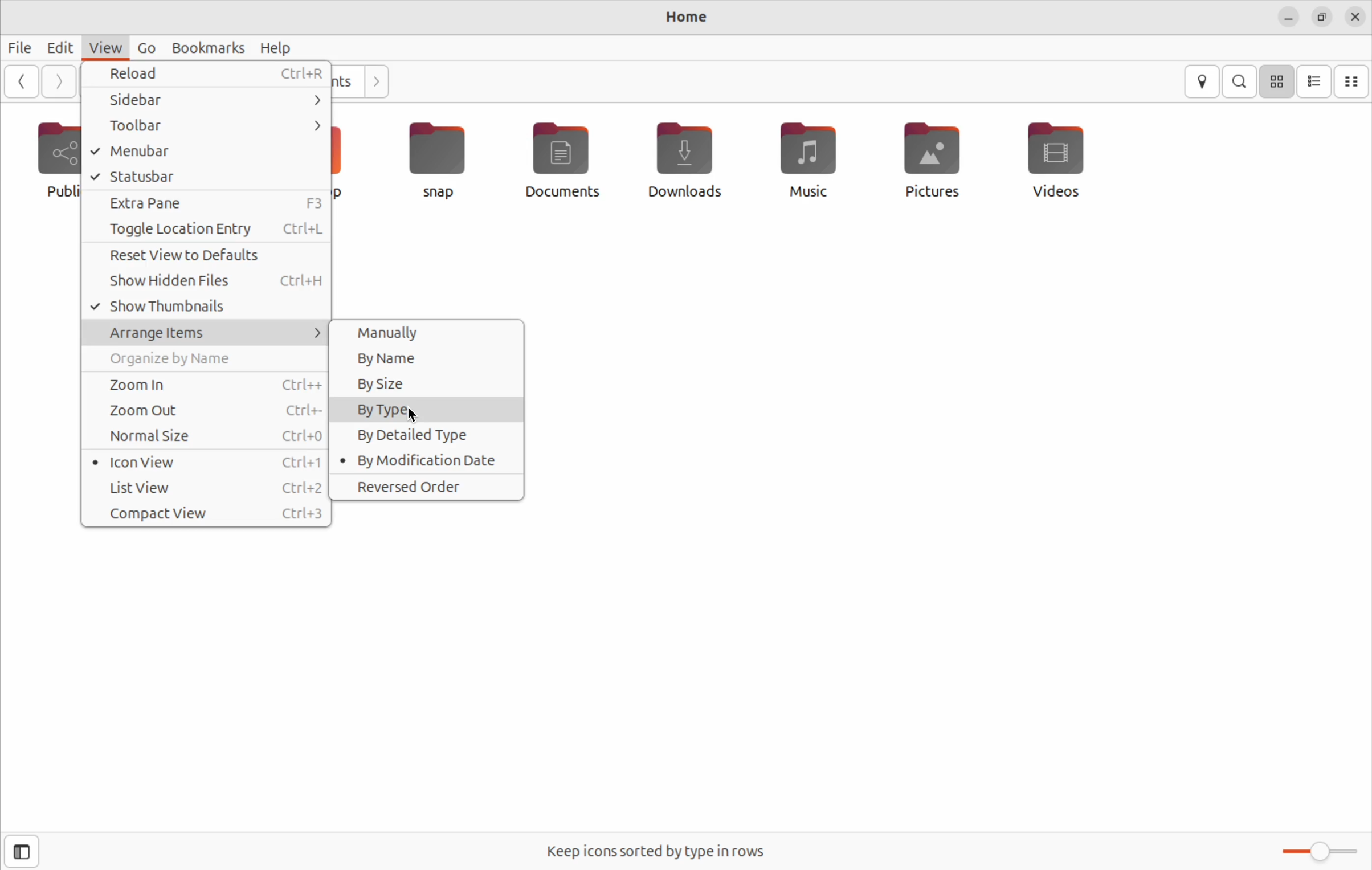 The width and height of the screenshot is (1372, 870). Describe the element at coordinates (209, 436) in the screenshot. I see `normal size` at that location.